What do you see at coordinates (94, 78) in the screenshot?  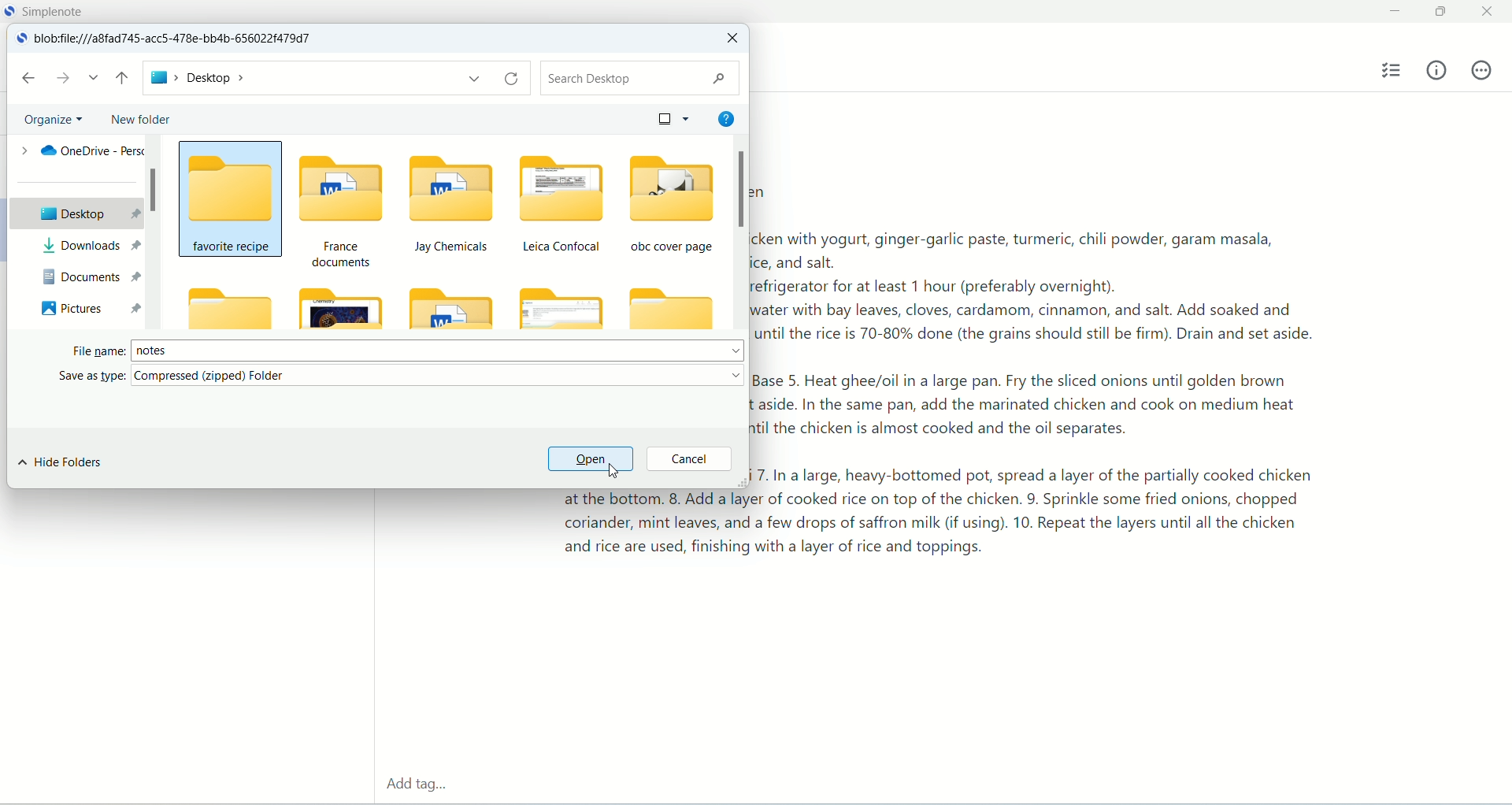 I see `recent location` at bounding box center [94, 78].